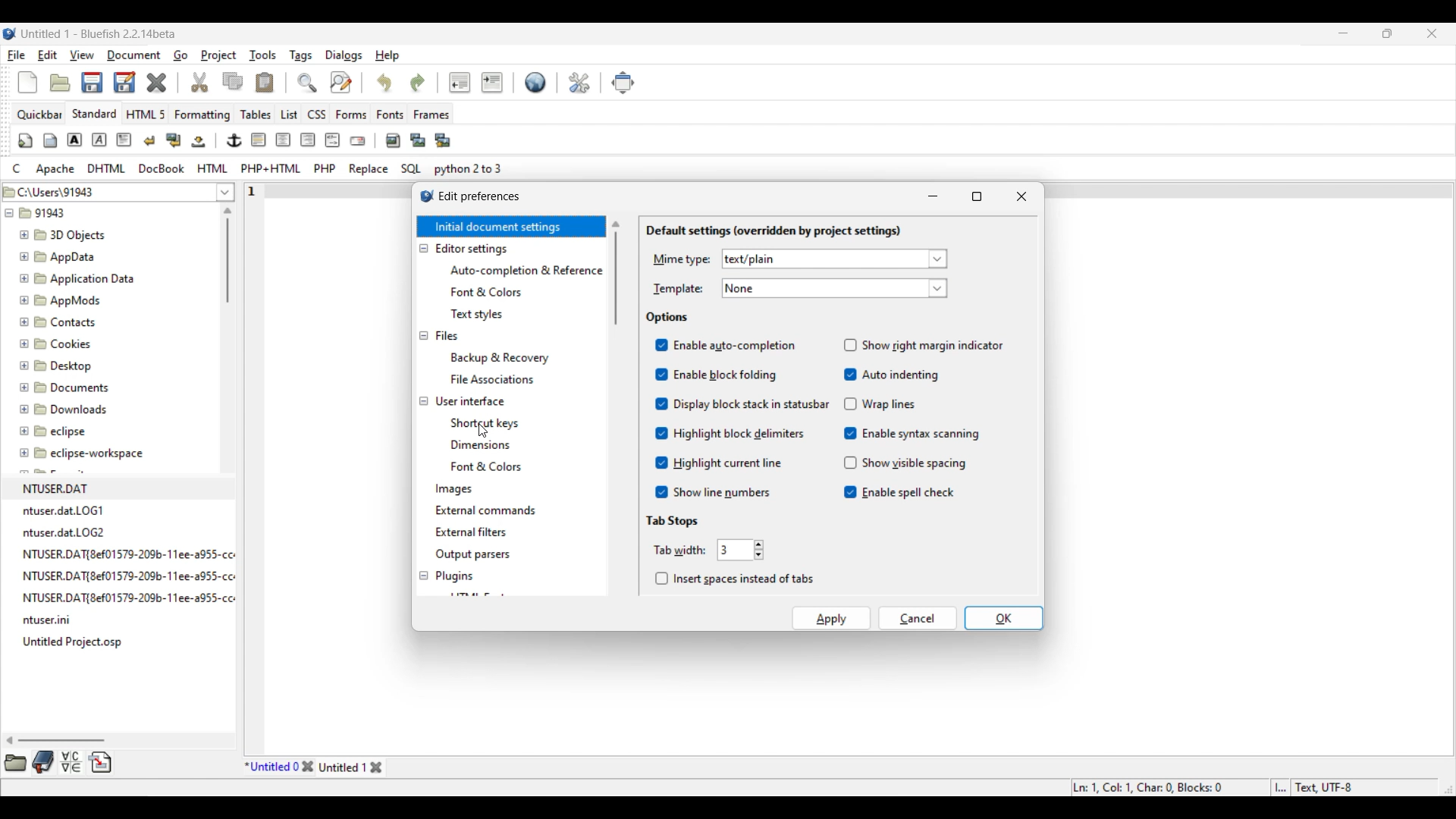  I want to click on Tags menu, so click(300, 56).